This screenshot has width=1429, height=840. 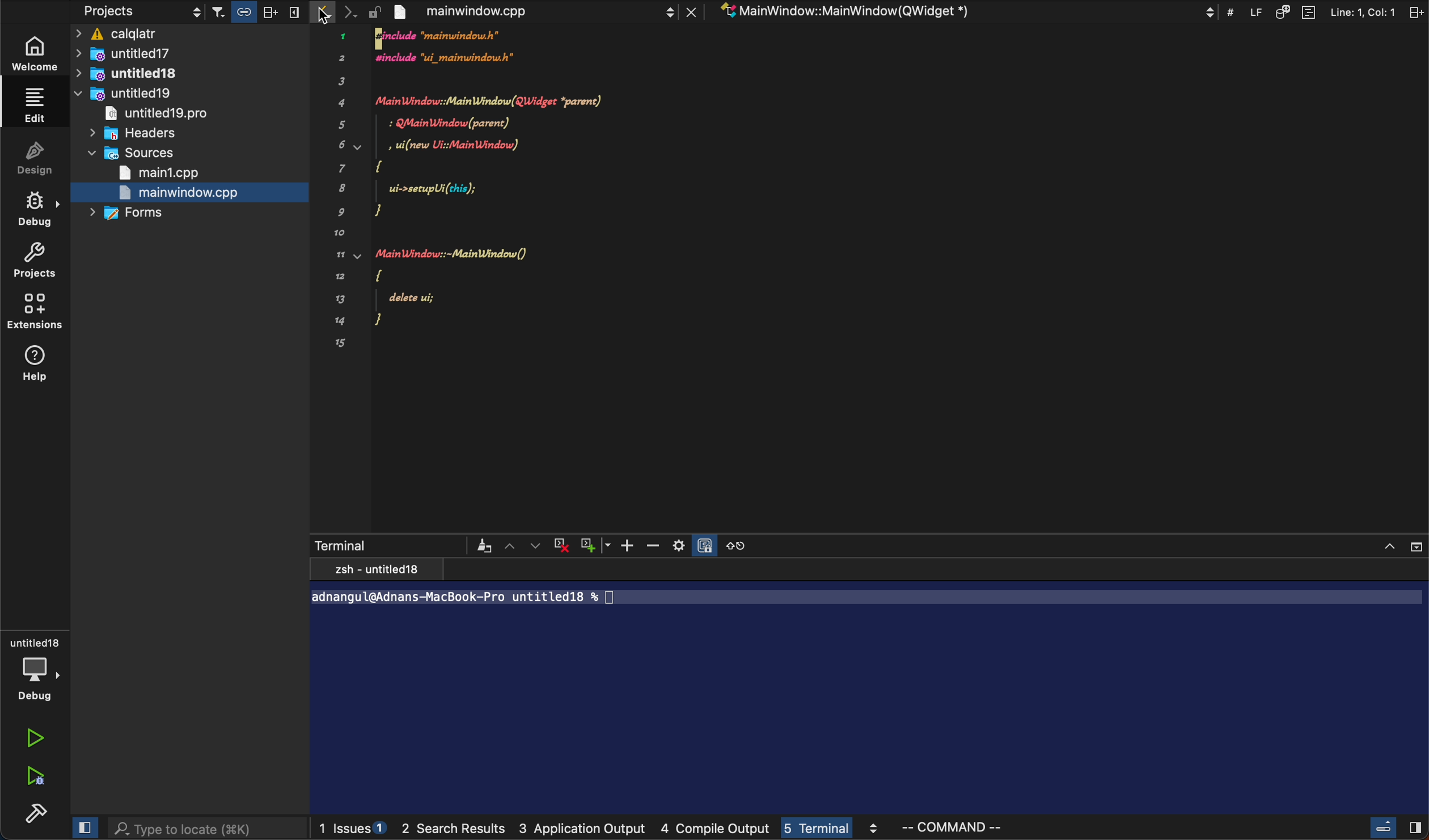 What do you see at coordinates (36, 161) in the screenshot?
I see `design` at bounding box center [36, 161].